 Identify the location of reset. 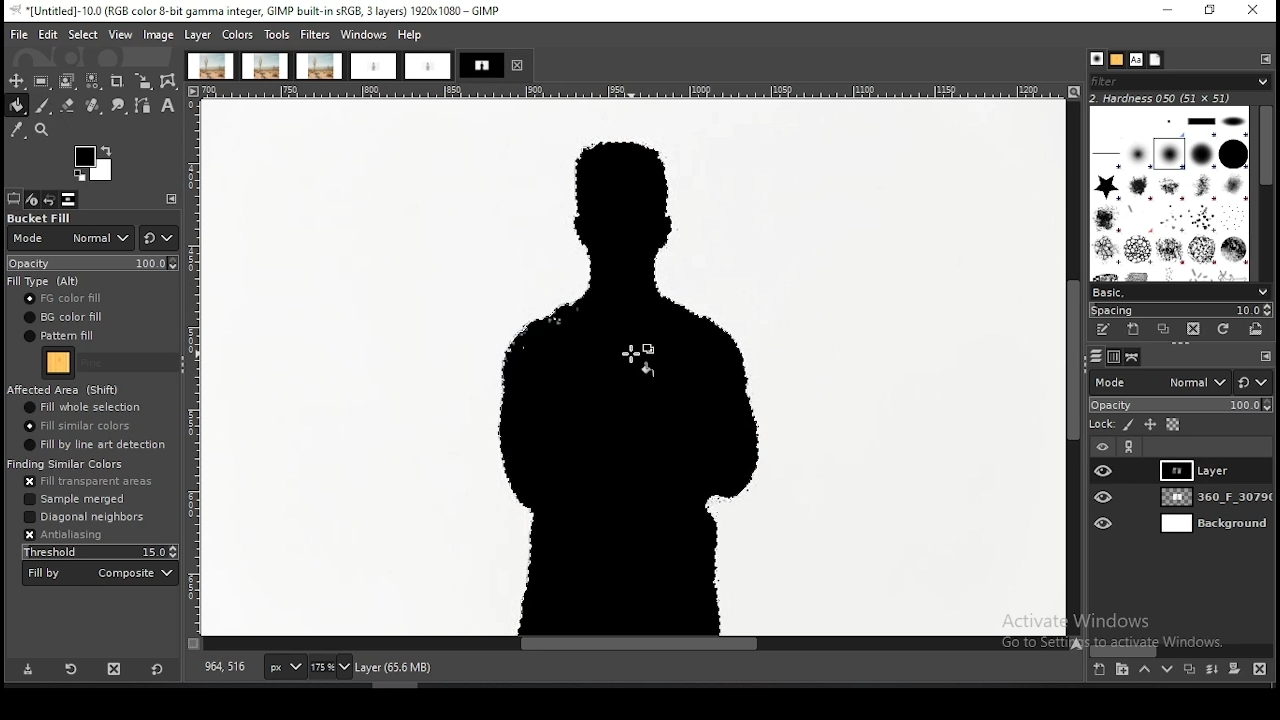
(1254, 381).